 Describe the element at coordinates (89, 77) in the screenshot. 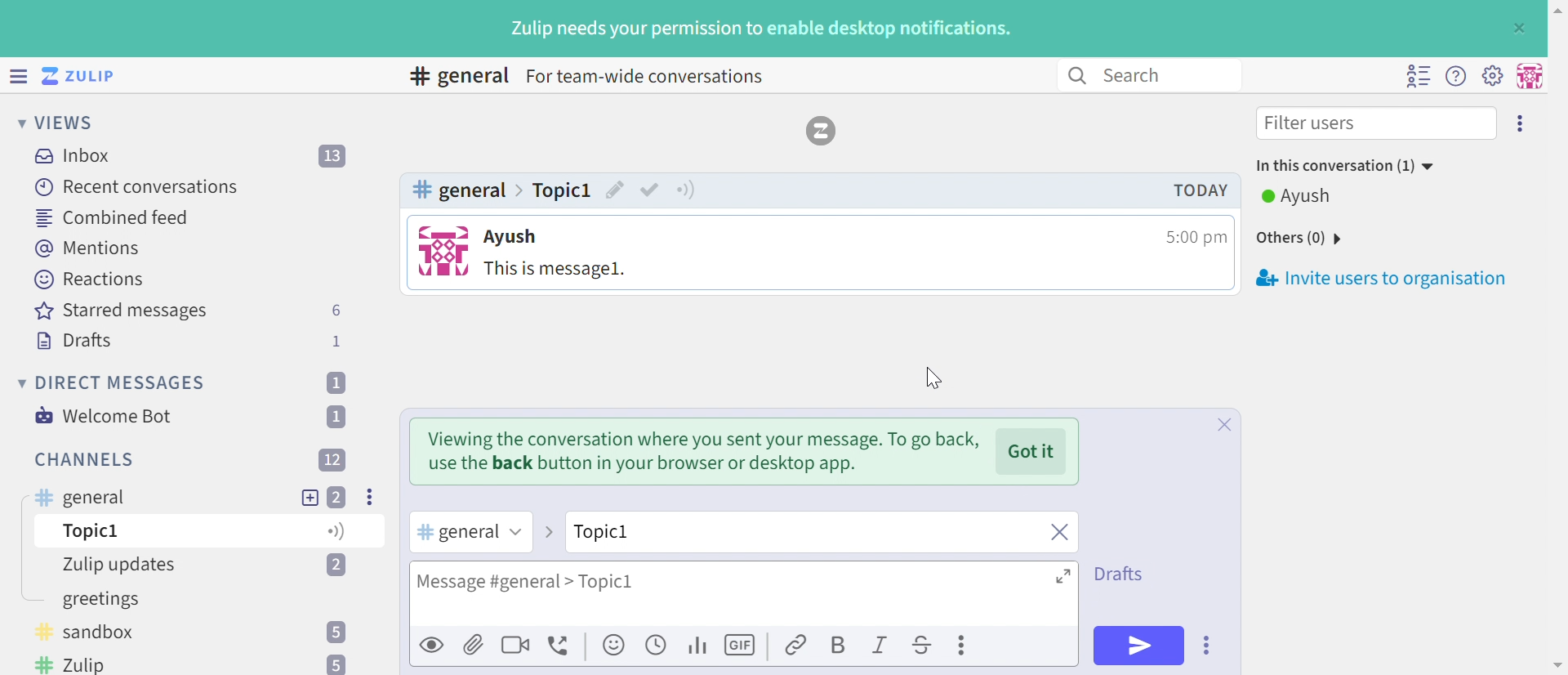

I see `ZULIP` at that location.